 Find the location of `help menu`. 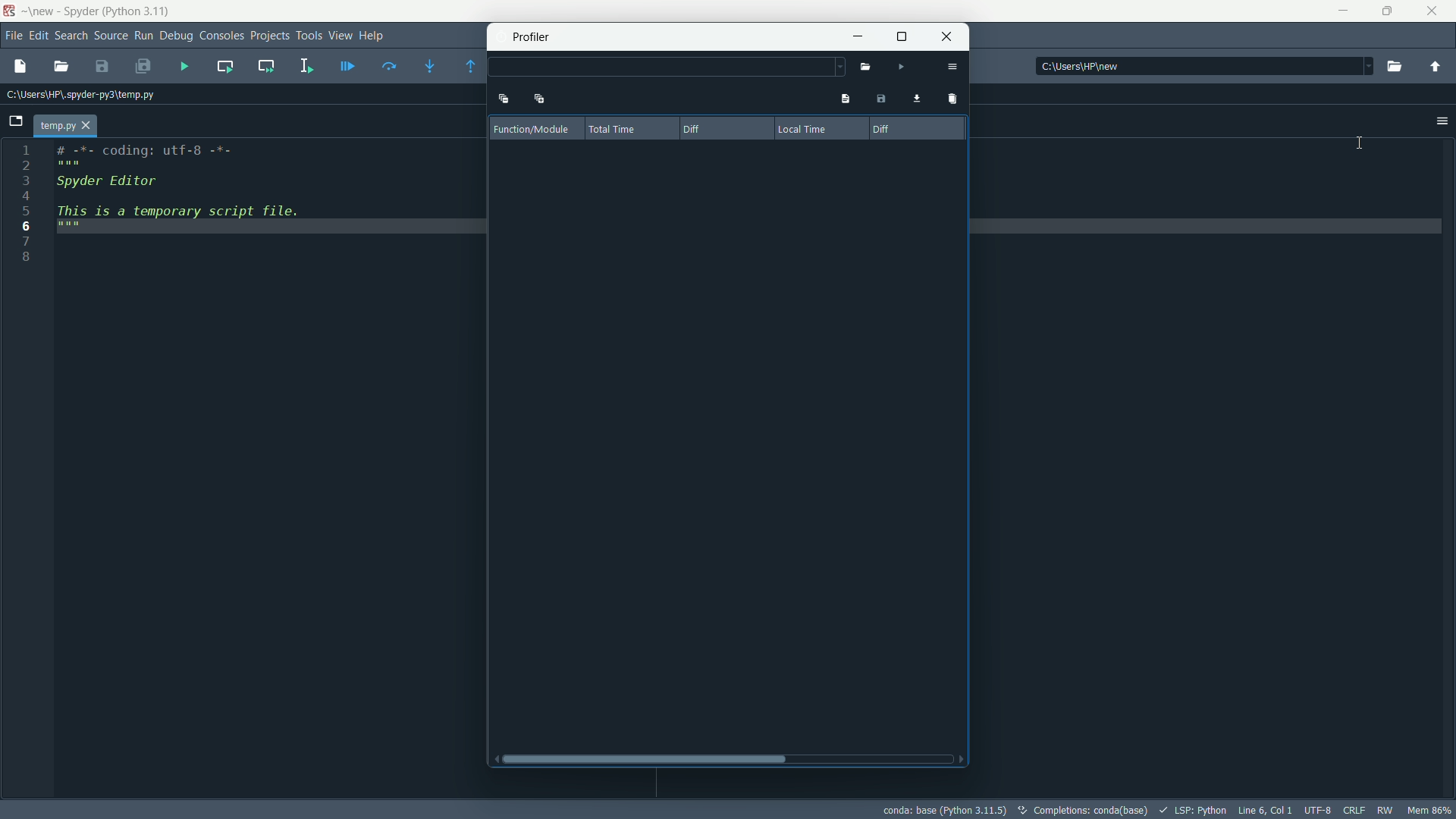

help menu is located at coordinates (374, 35).